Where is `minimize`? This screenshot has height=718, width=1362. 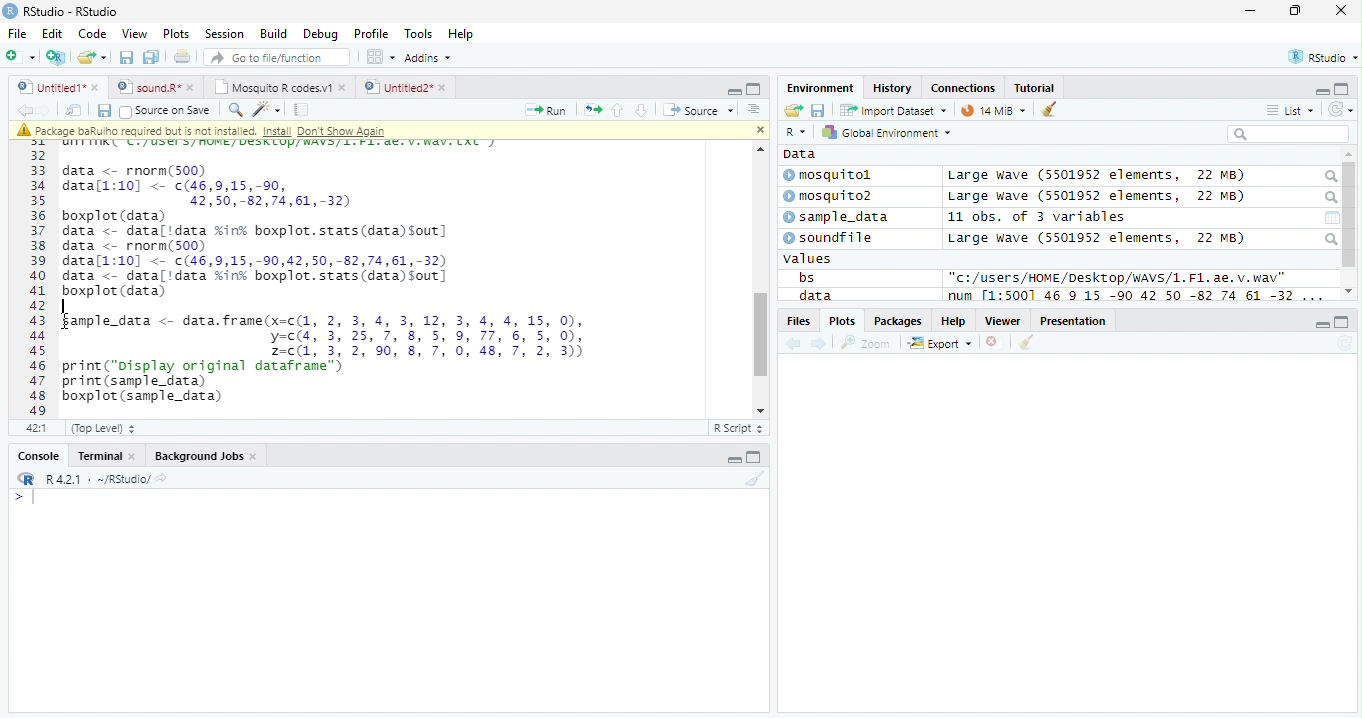 minimize is located at coordinates (1322, 323).